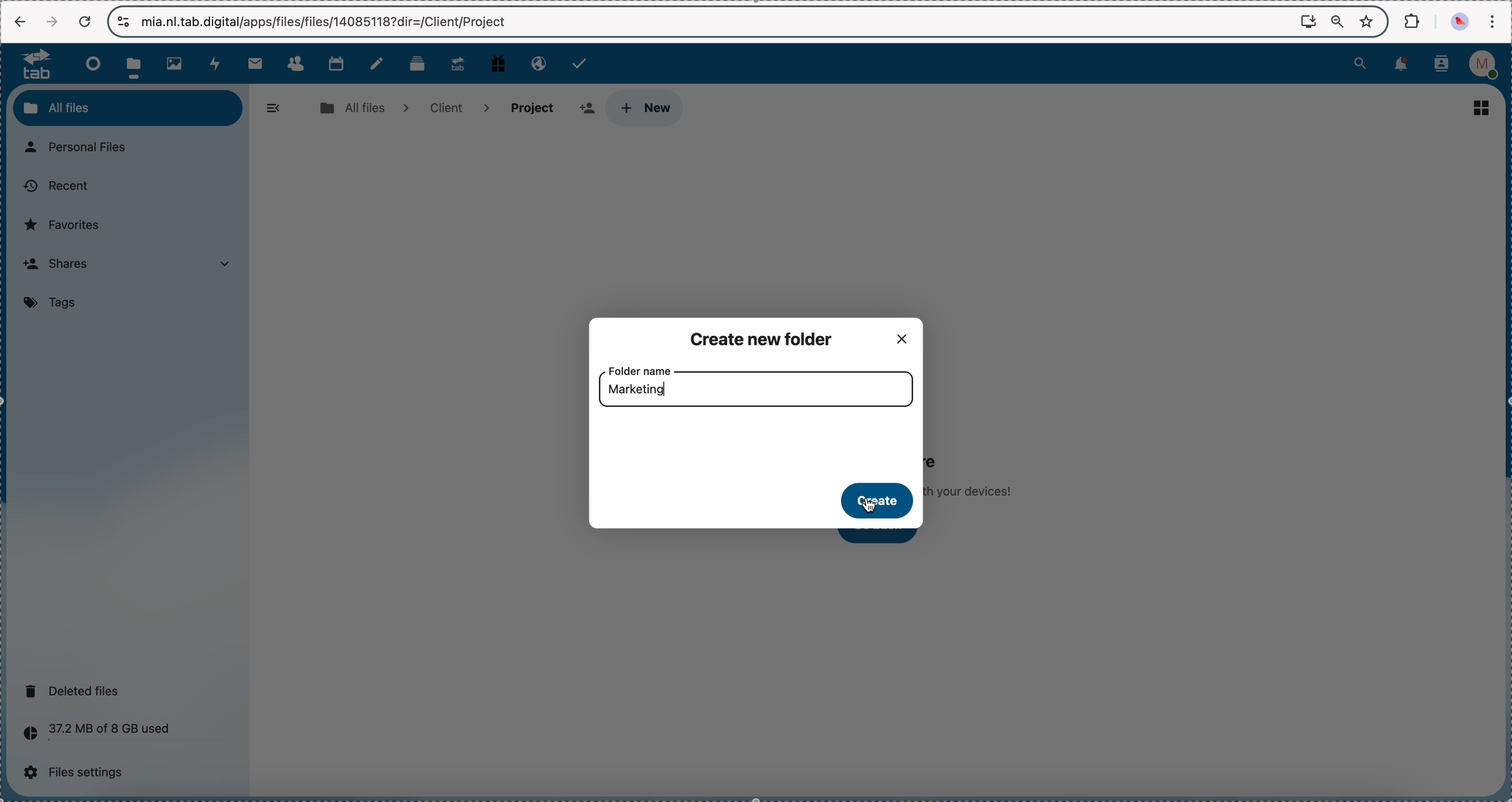 The image size is (1512, 802). What do you see at coordinates (21, 23) in the screenshot?
I see `navigate back` at bounding box center [21, 23].